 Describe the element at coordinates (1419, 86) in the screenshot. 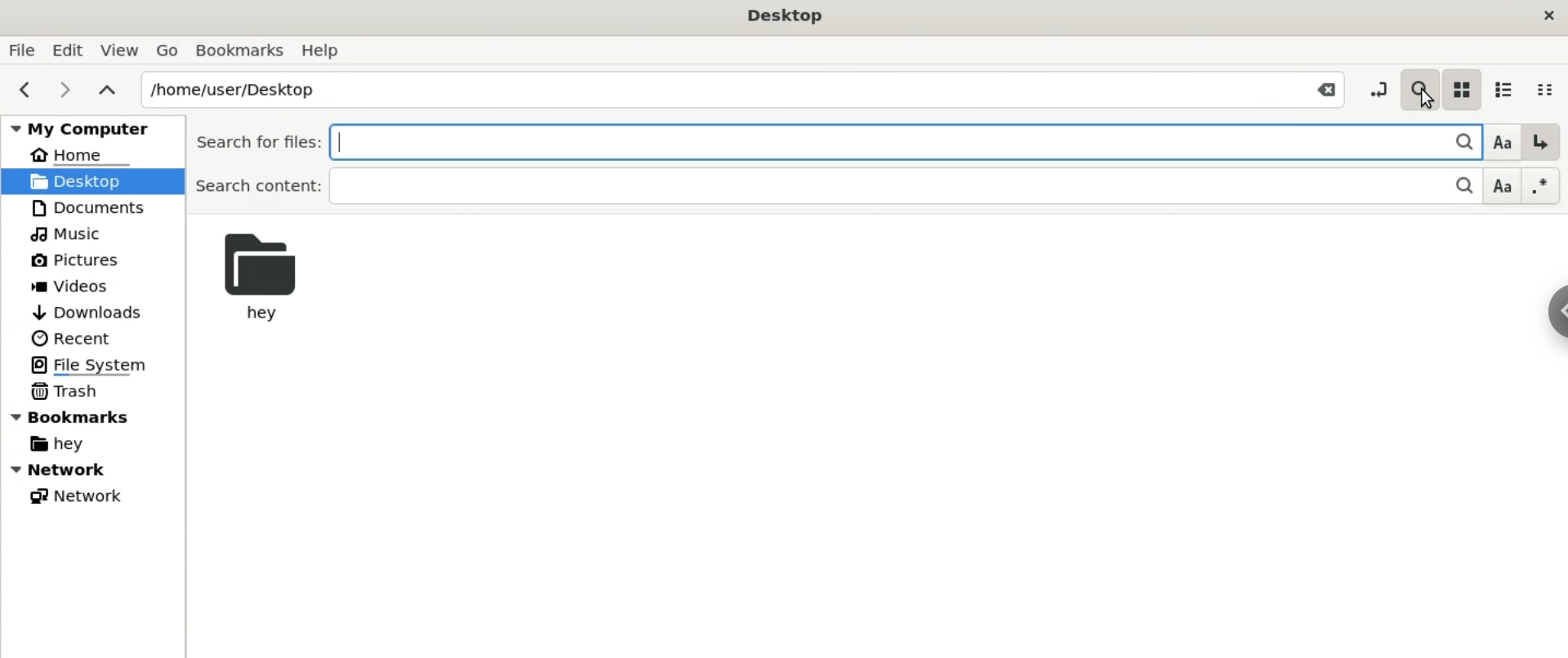

I see `Search` at that location.